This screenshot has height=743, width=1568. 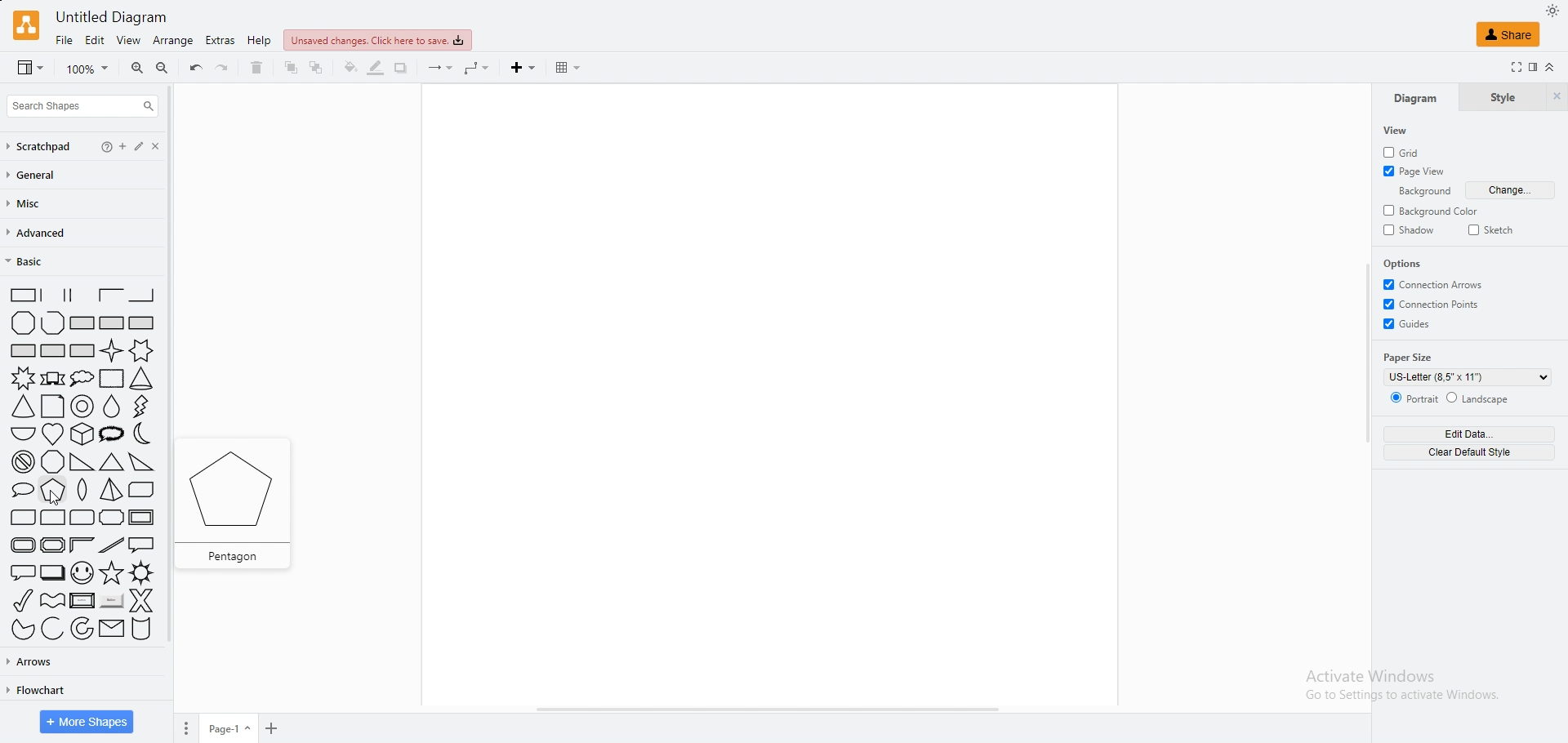 I want to click on paper size, so click(x=1410, y=357).